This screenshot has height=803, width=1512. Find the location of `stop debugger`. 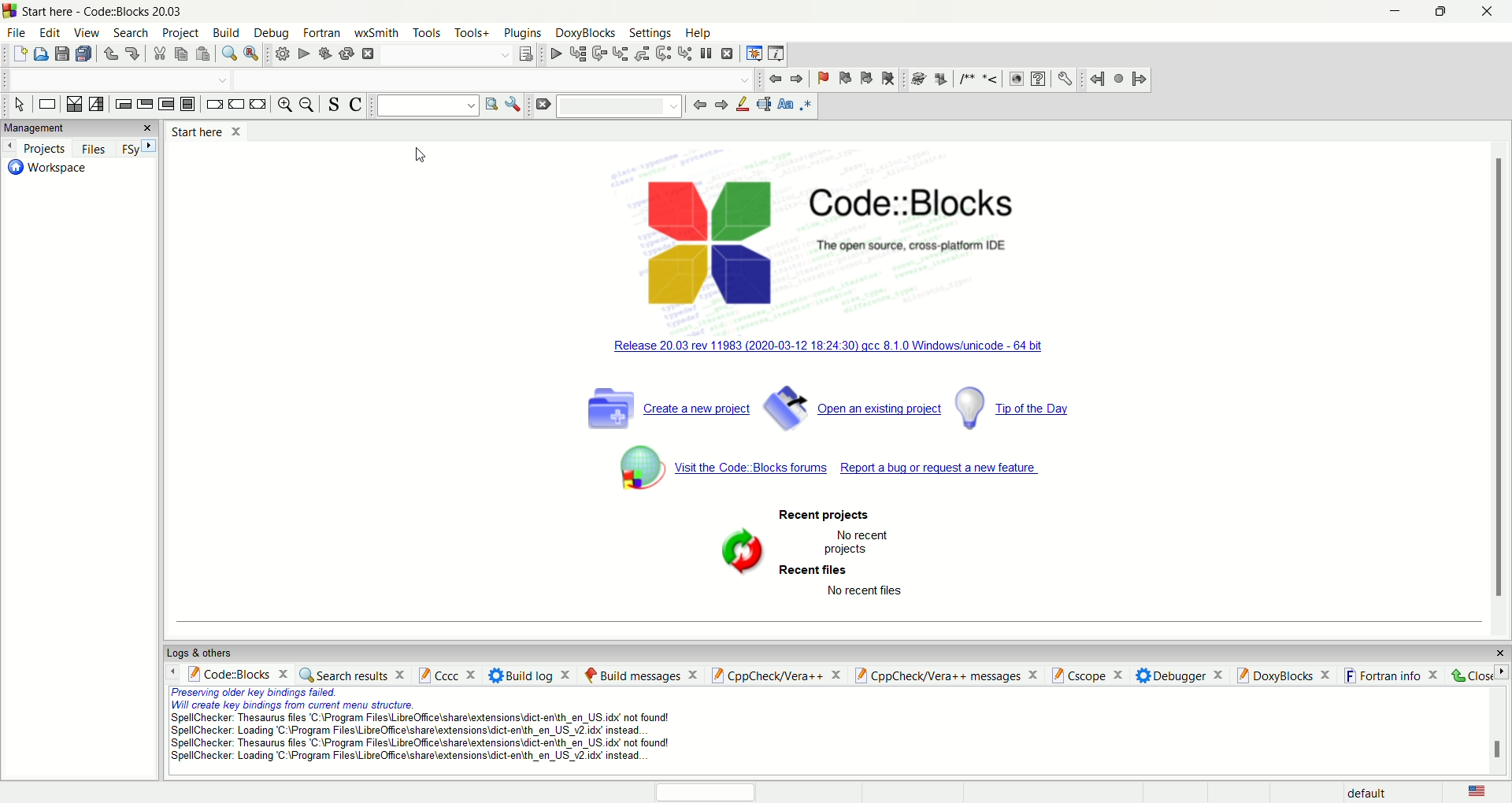

stop debugger is located at coordinates (731, 54).